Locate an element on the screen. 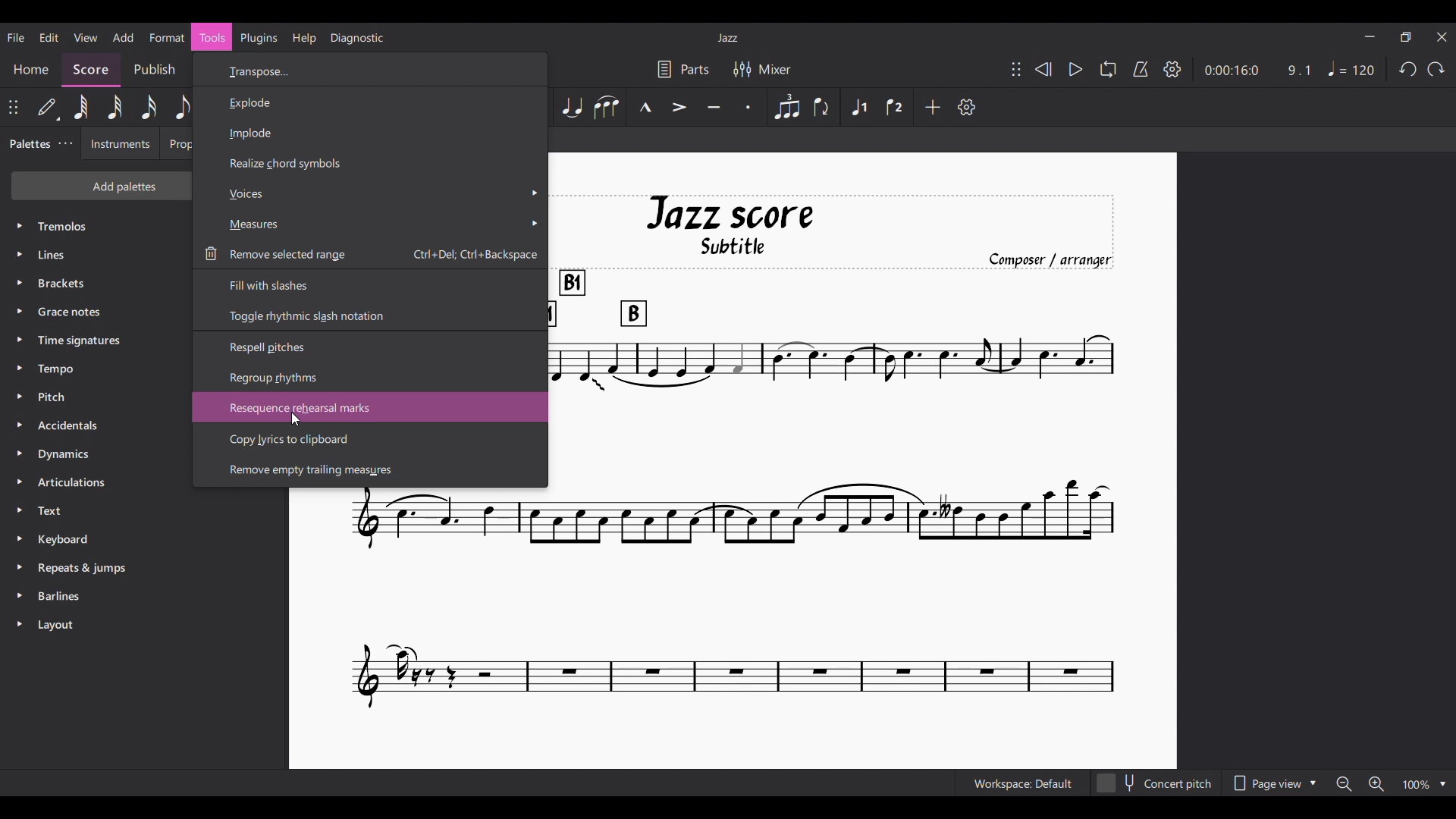 The height and width of the screenshot is (819, 1456). Change position is located at coordinates (1016, 69).